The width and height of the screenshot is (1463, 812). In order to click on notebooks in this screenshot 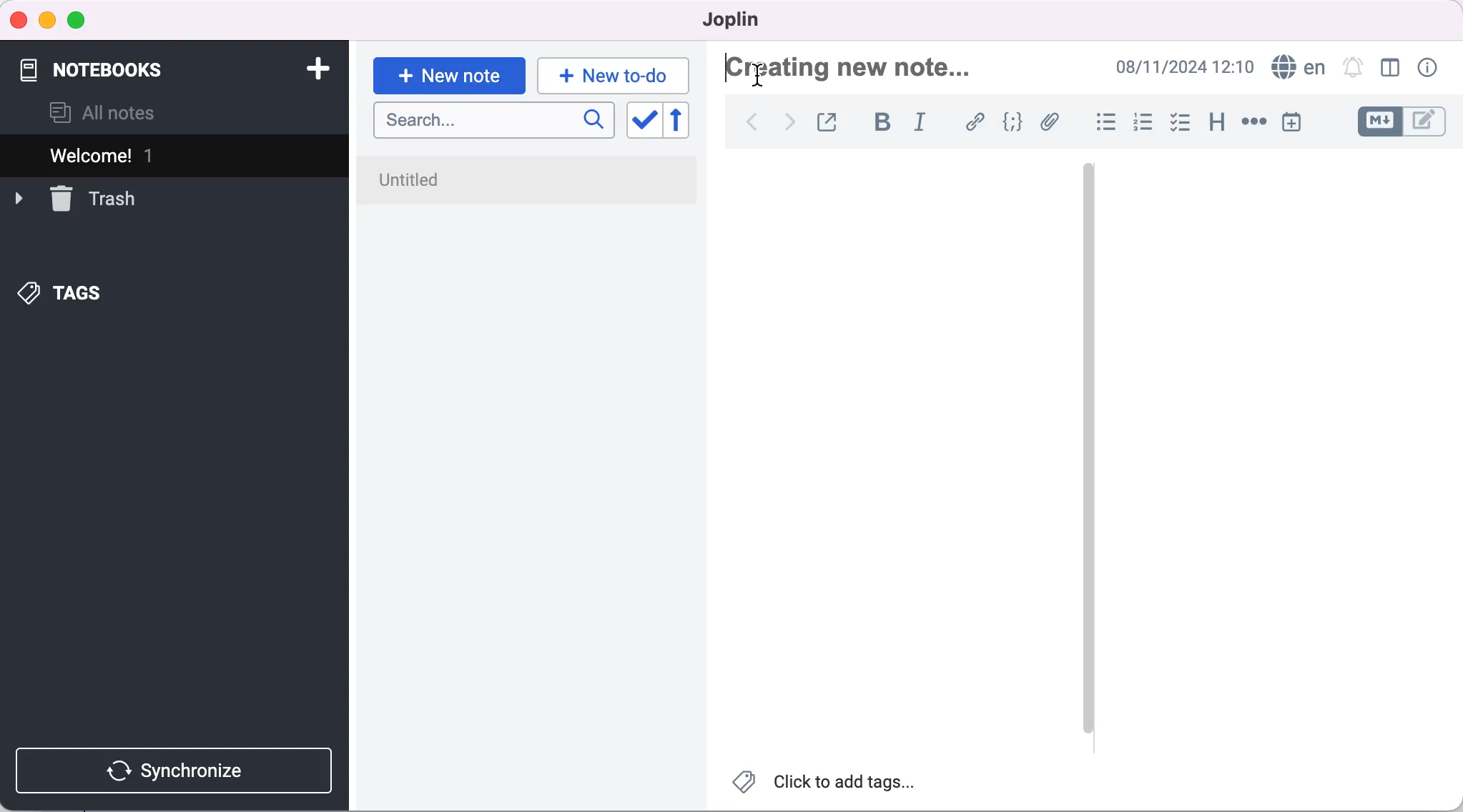, I will do `click(112, 66)`.